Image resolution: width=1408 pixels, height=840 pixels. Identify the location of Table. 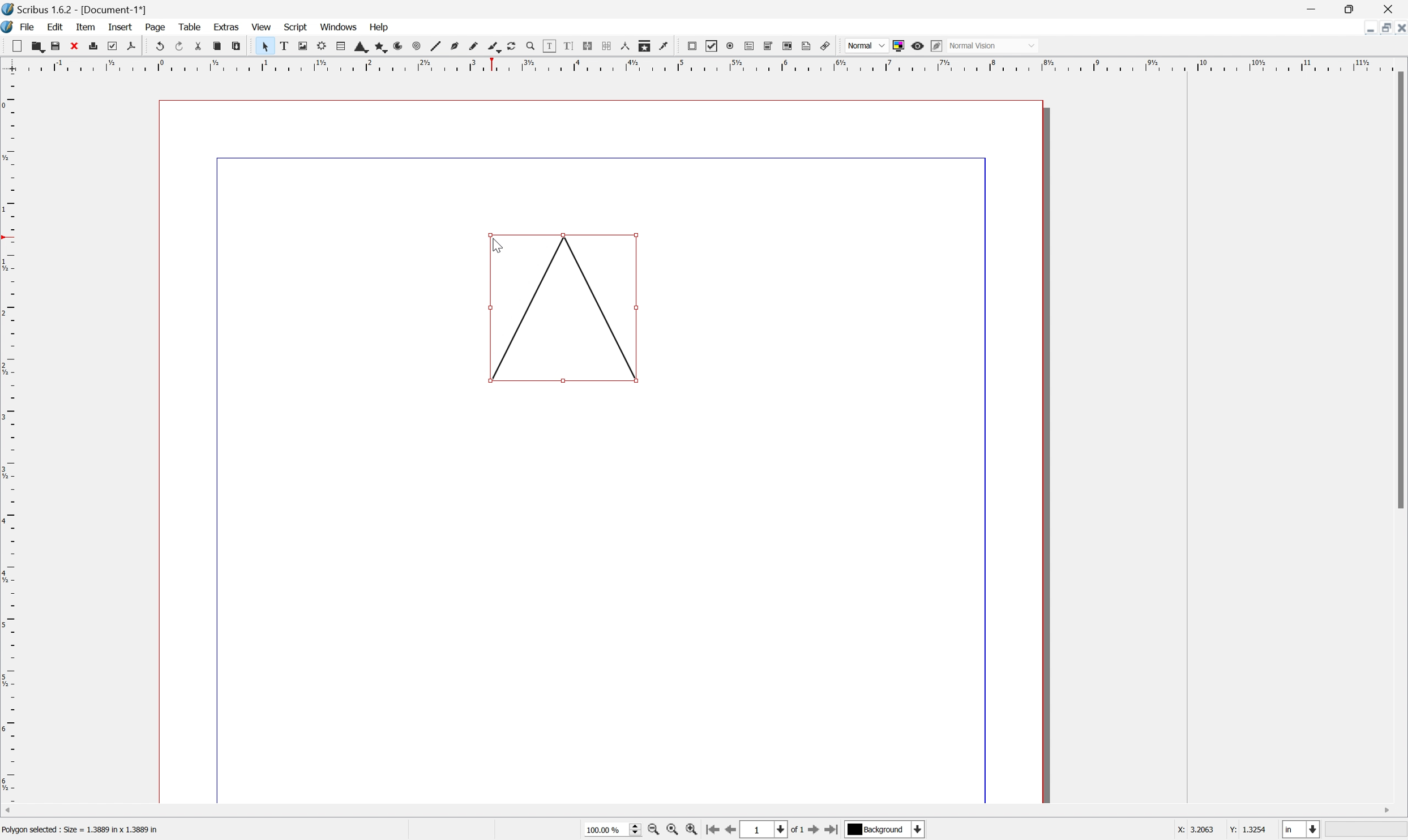
(335, 47).